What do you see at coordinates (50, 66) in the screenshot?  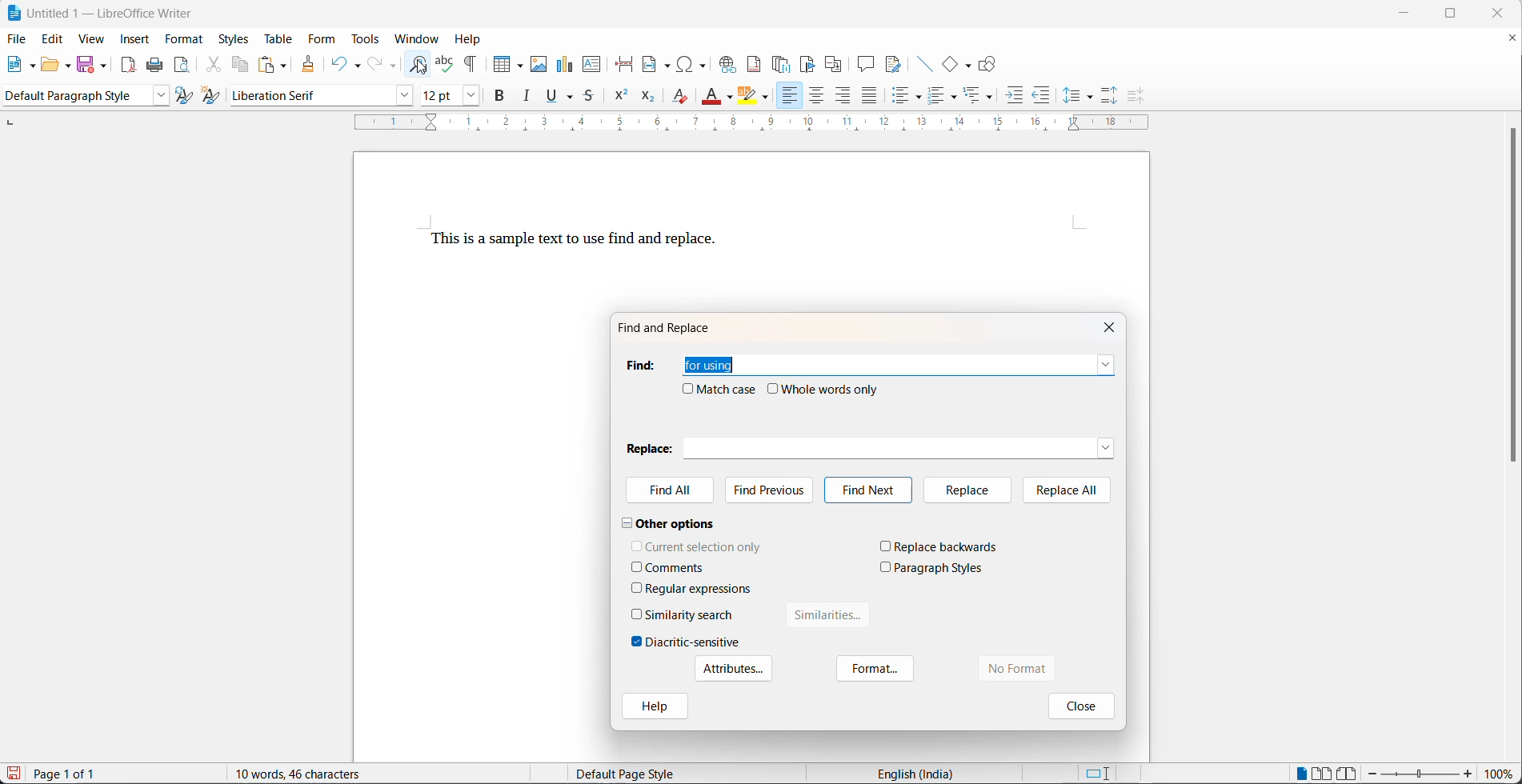 I see `open` at bounding box center [50, 66].